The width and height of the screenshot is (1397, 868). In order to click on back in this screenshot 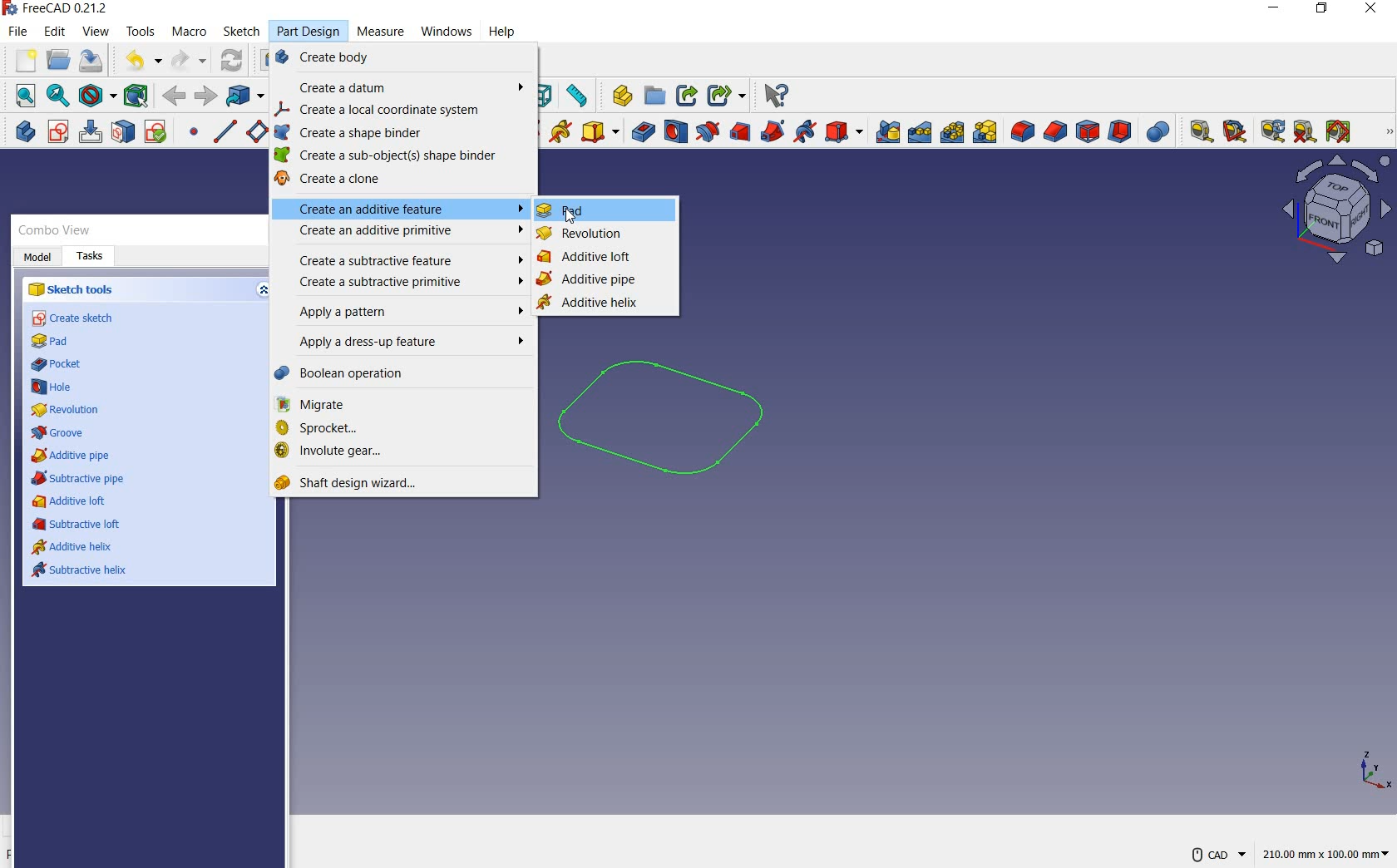, I will do `click(207, 96)`.